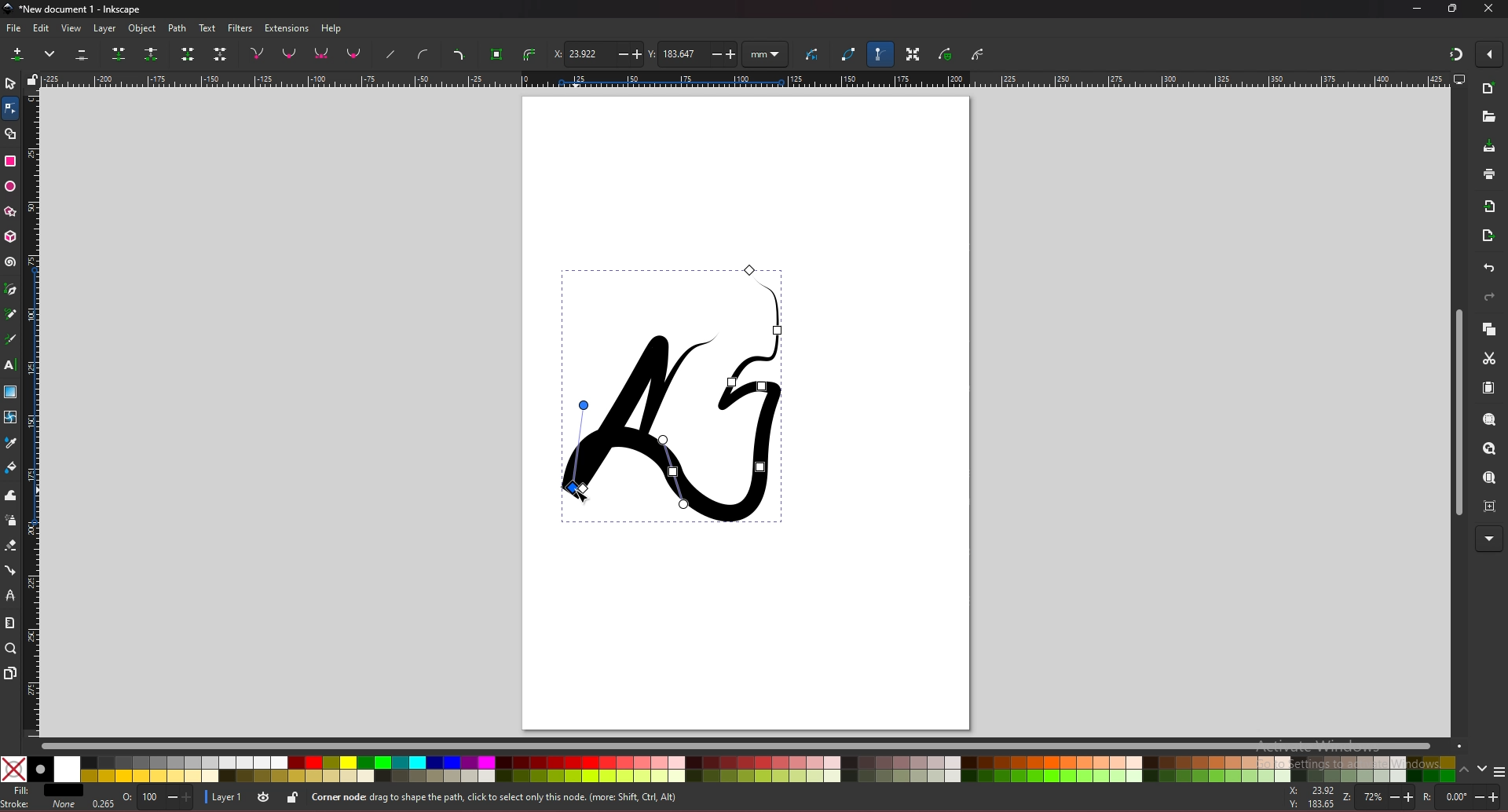  What do you see at coordinates (225, 797) in the screenshot?
I see `layer` at bounding box center [225, 797].